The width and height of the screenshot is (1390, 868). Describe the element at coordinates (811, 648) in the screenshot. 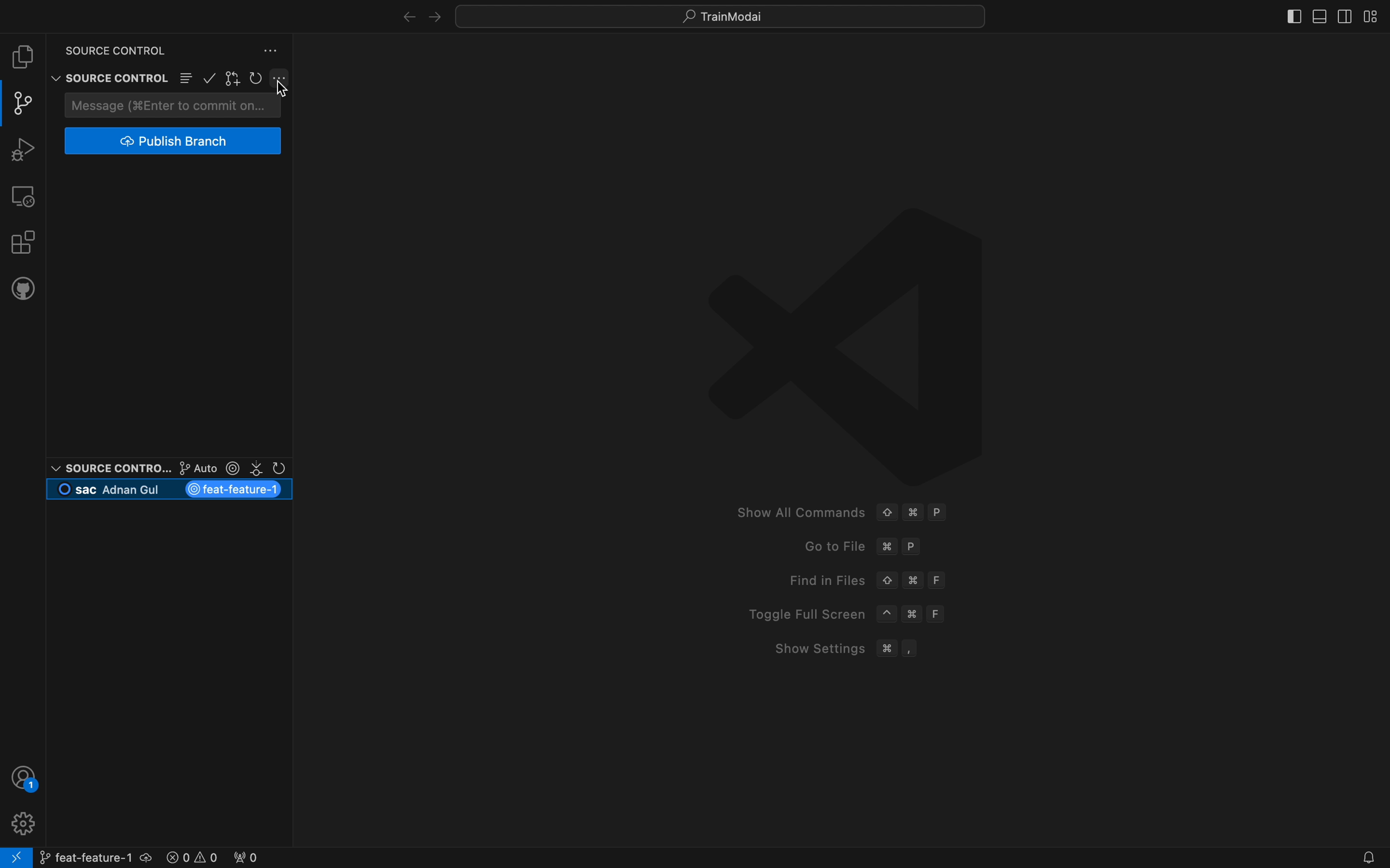

I see `Show Settings` at that location.